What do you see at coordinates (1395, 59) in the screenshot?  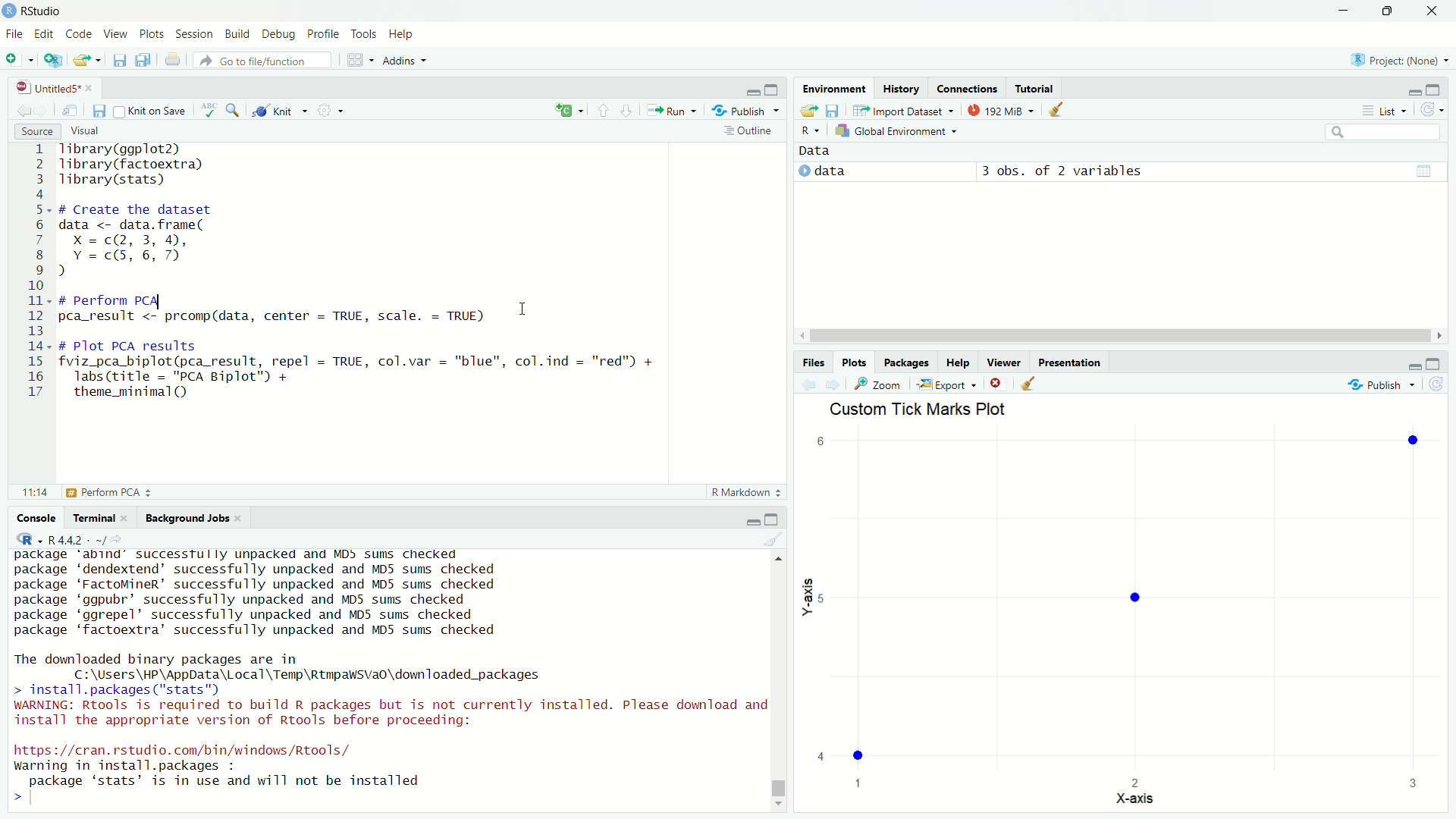 I see `selected project: None` at bounding box center [1395, 59].